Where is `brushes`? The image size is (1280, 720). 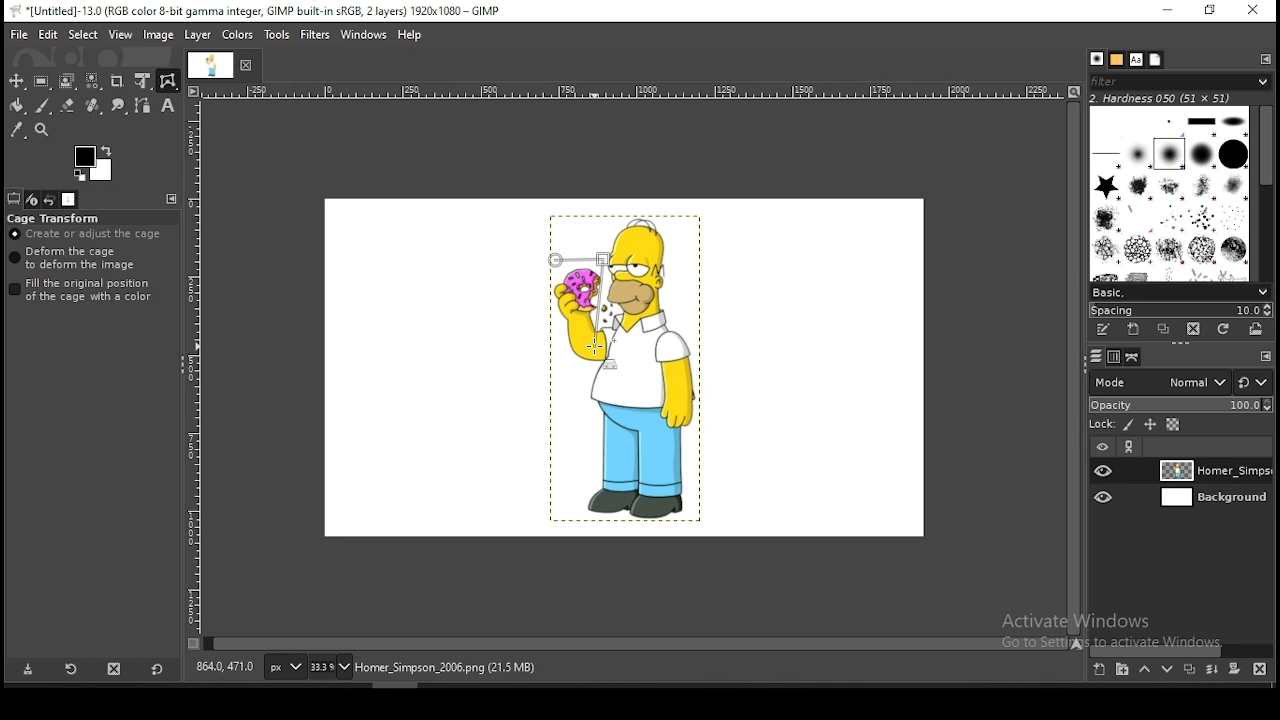
brushes is located at coordinates (1171, 192).